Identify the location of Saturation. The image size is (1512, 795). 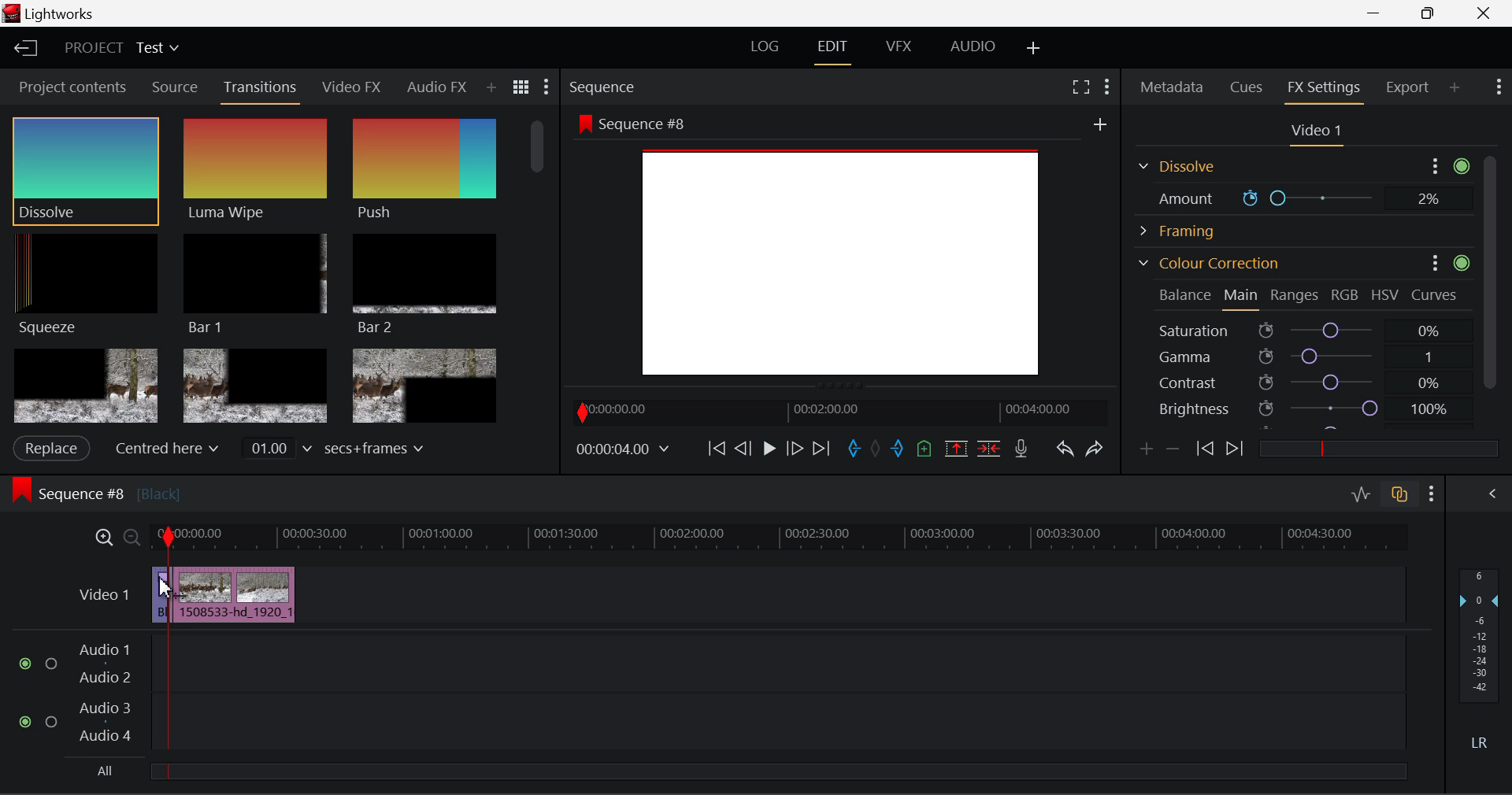
(1303, 330).